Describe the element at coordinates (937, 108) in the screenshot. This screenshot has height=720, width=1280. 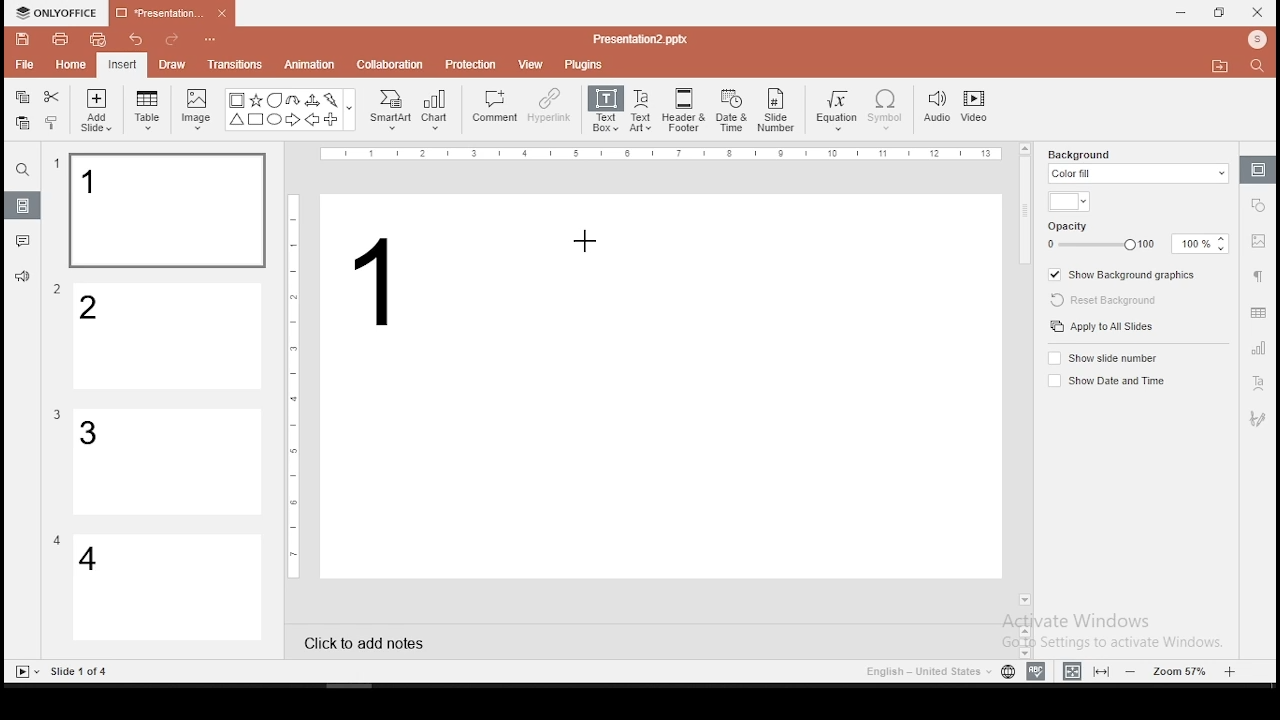
I see `audio` at that location.